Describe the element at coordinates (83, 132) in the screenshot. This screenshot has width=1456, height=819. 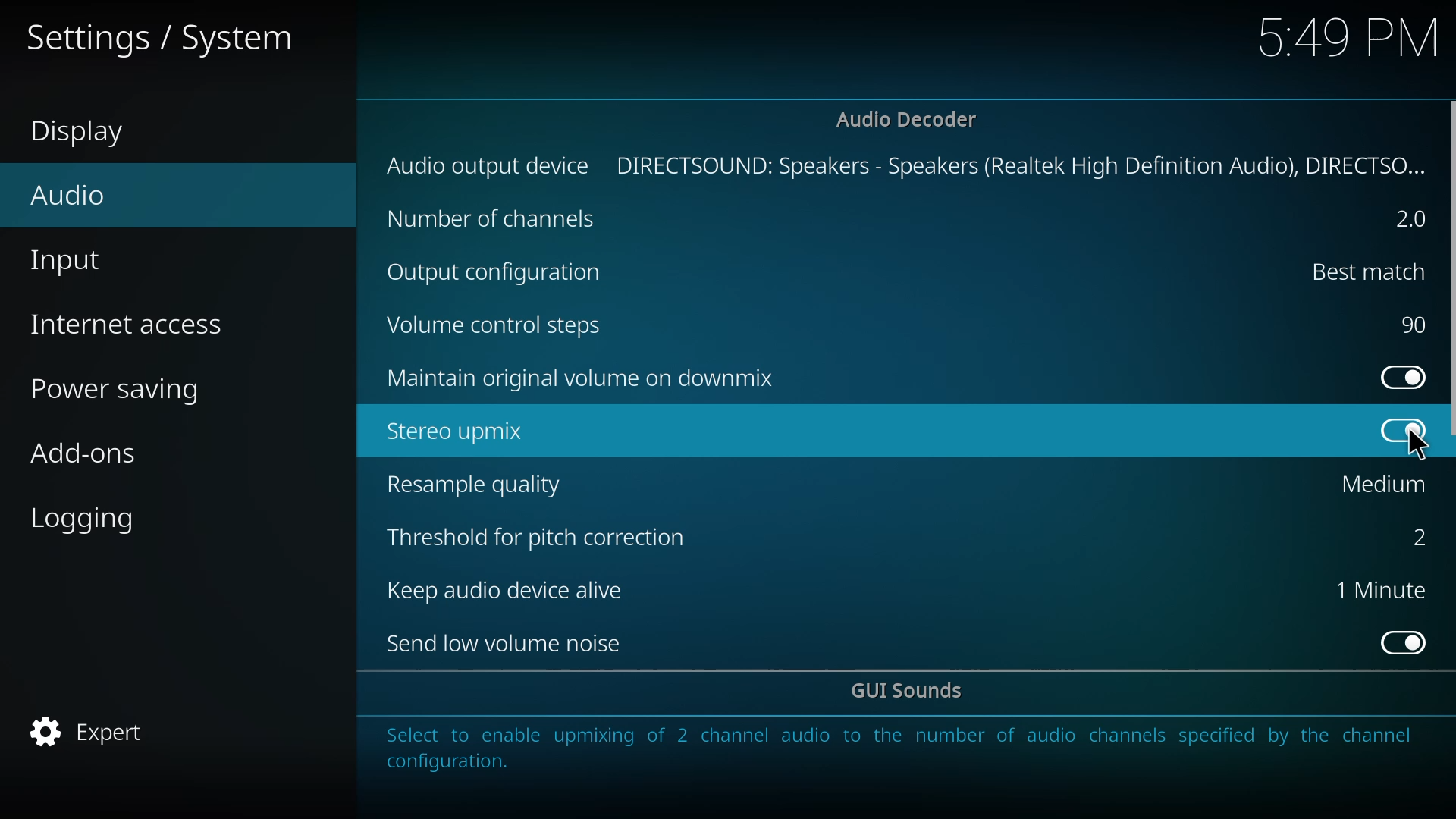
I see `display` at that location.